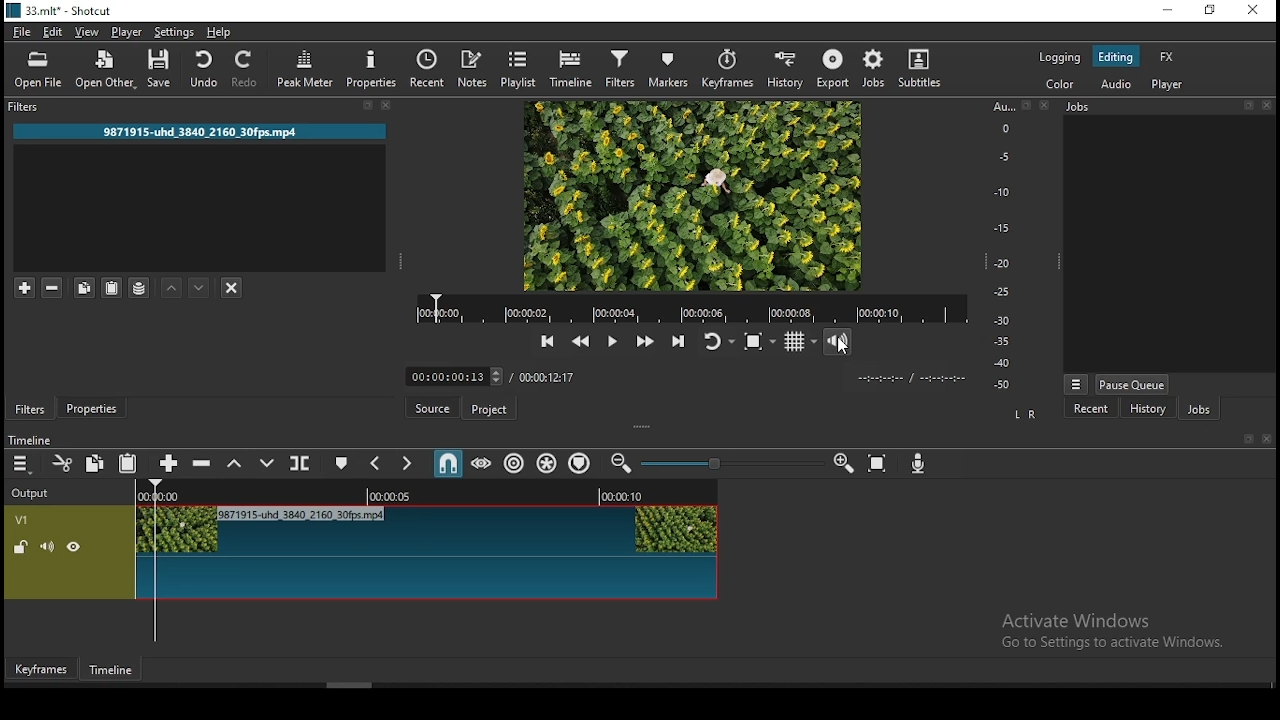  What do you see at coordinates (111, 667) in the screenshot?
I see `timeline` at bounding box center [111, 667].